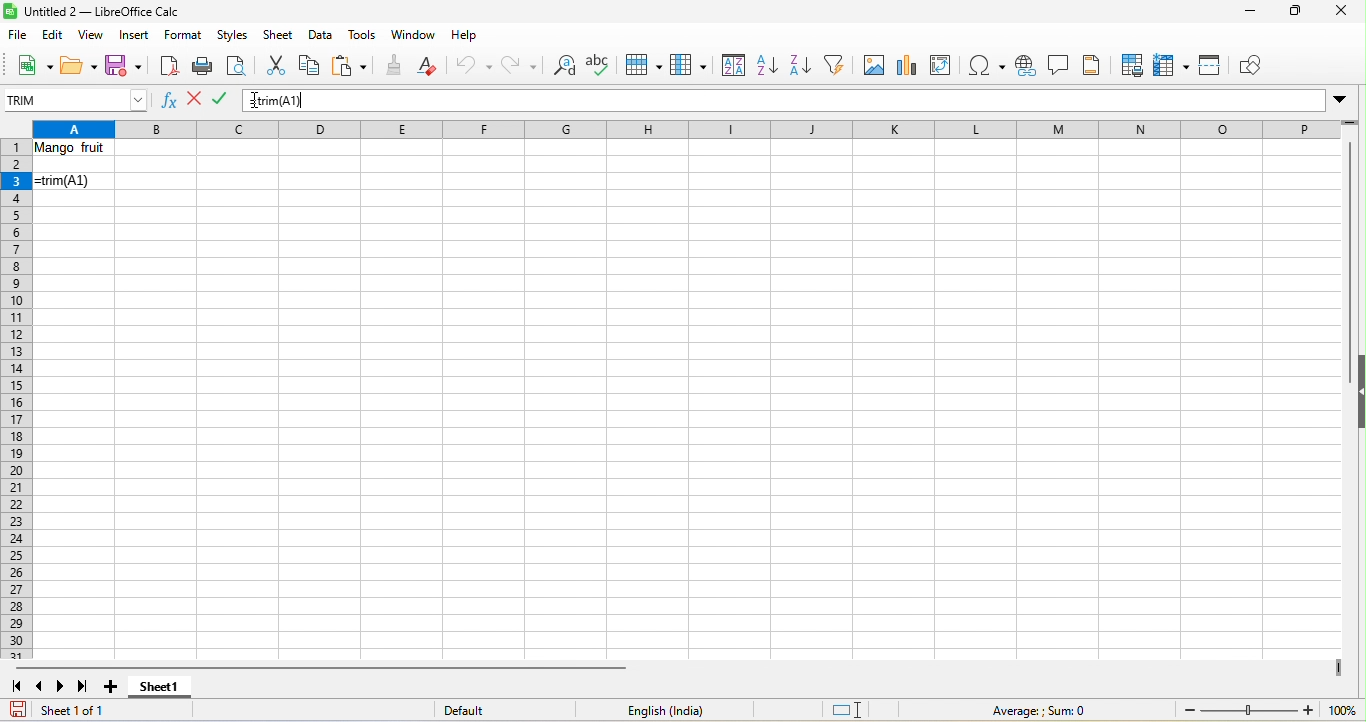 The height and width of the screenshot is (722, 1366). Describe the element at coordinates (225, 100) in the screenshot. I see `accept` at that location.